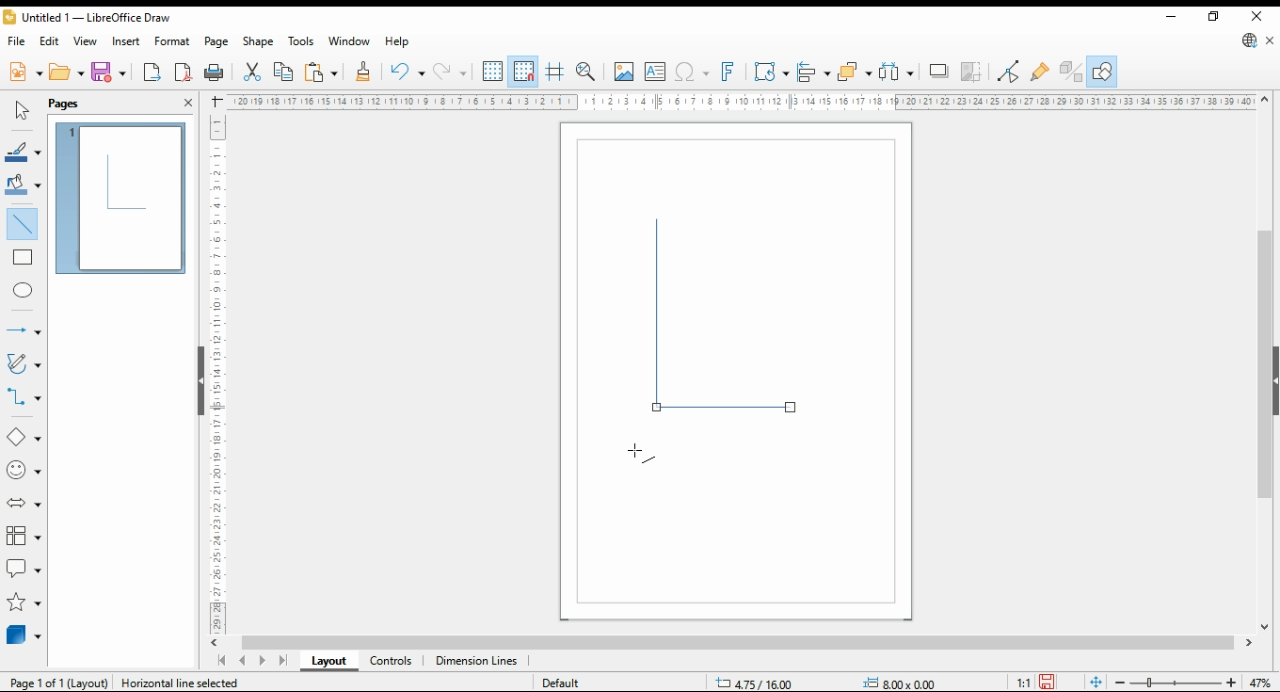 This screenshot has height=692, width=1280. What do you see at coordinates (648, 454) in the screenshot?
I see `mouse pointer` at bounding box center [648, 454].